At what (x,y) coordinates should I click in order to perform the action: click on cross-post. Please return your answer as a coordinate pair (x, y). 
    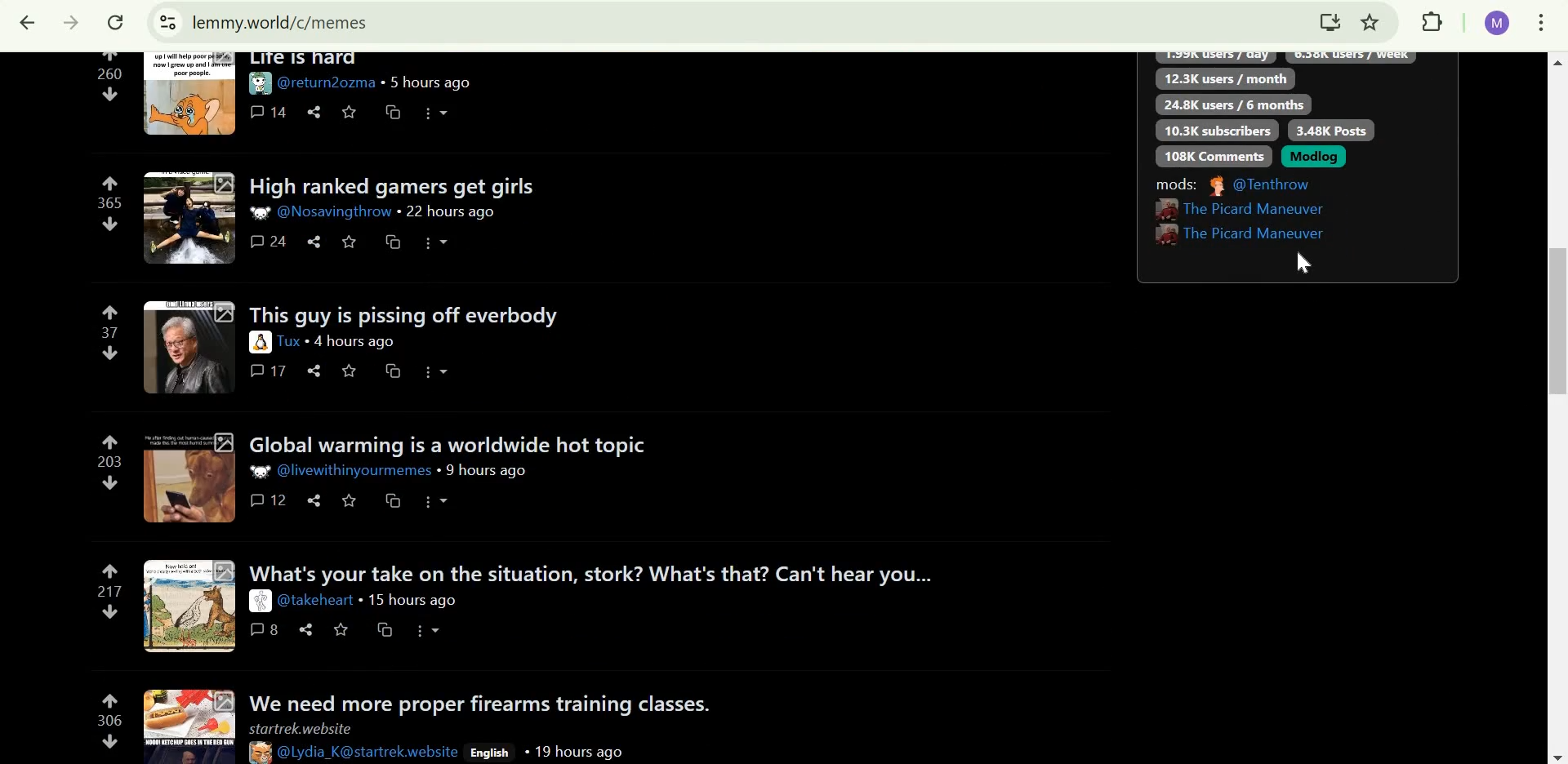
    Looking at the image, I should click on (393, 500).